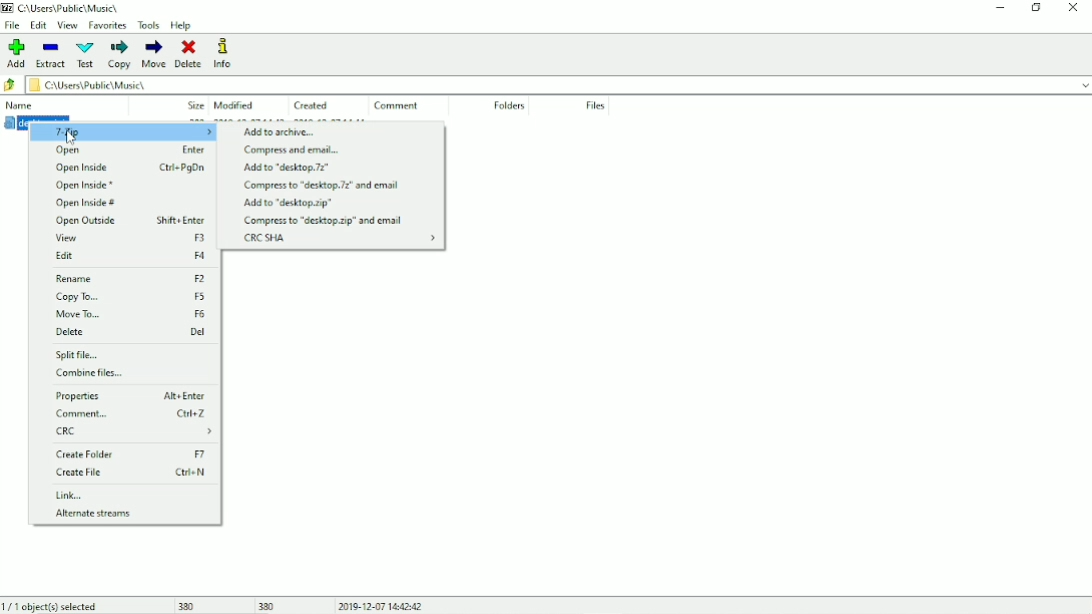 The height and width of the screenshot is (614, 1092). Describe the element at coordinates (128, 278) in the screenshot. I see `Rename` at that location.